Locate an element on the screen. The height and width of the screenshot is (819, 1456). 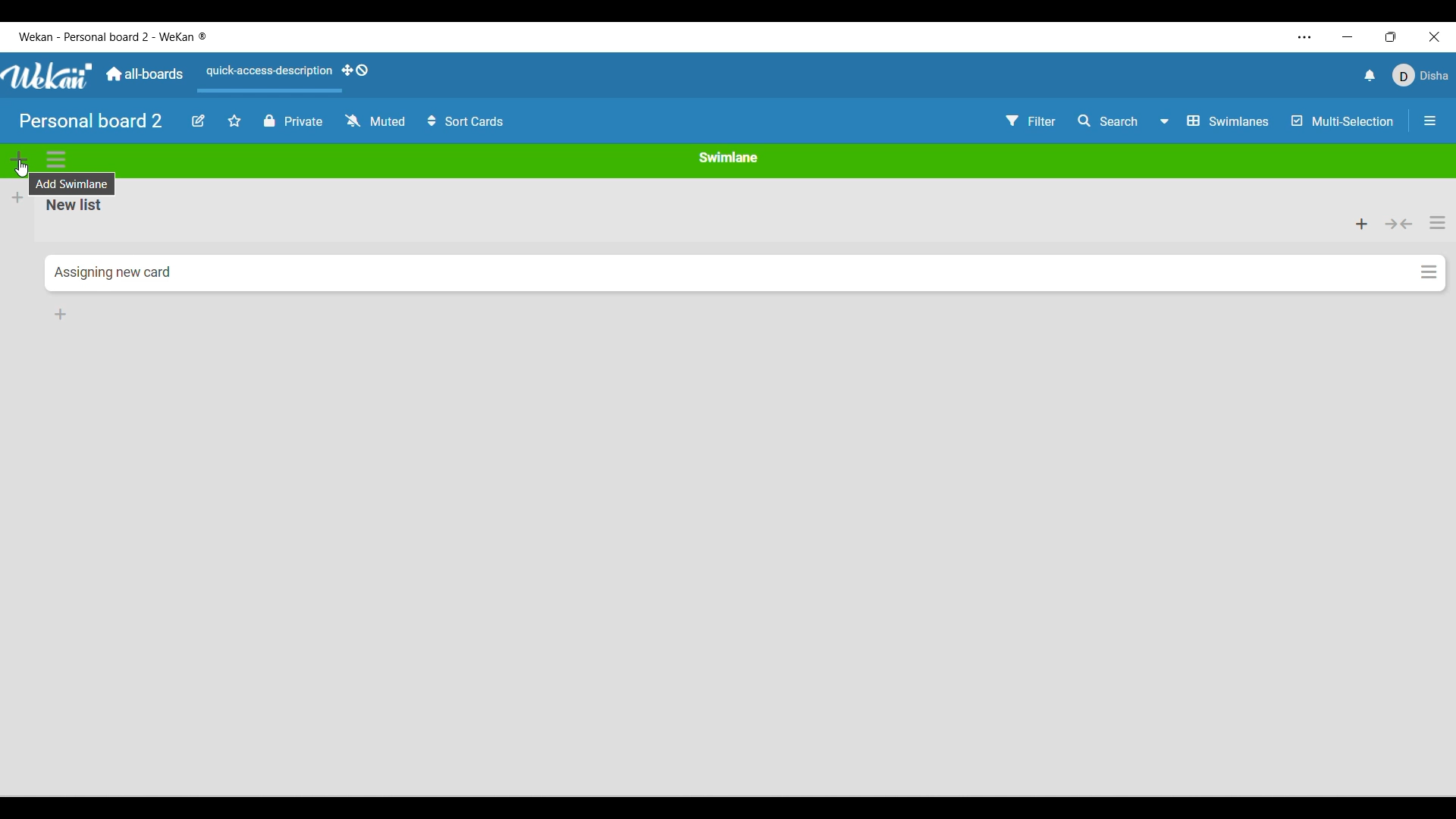
Current swimlane is located at coordinates (728, 157).